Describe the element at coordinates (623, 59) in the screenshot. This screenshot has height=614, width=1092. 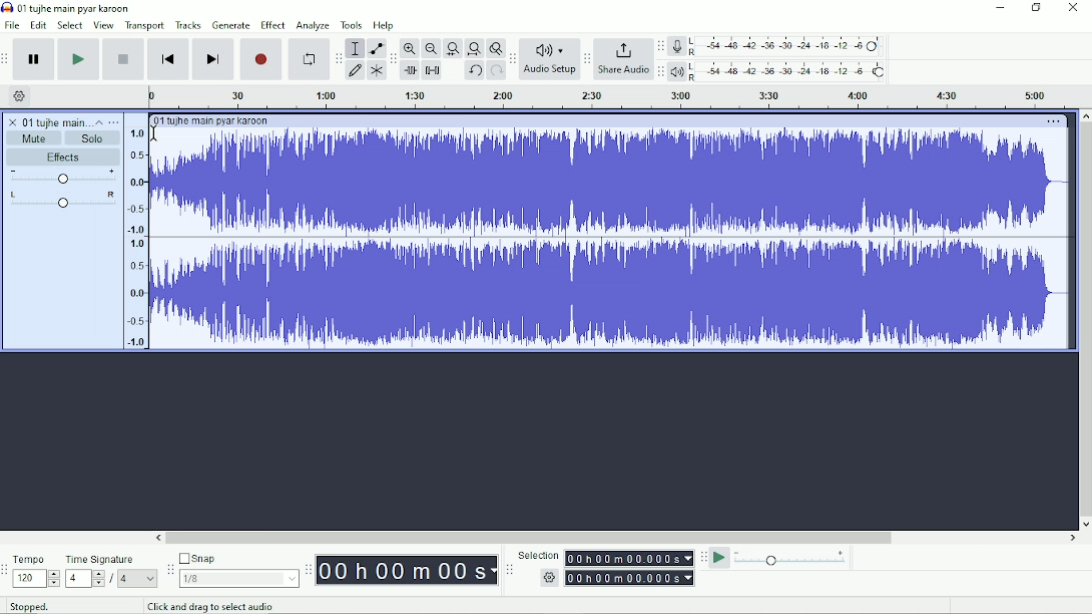
I see `Share Audio` at that location.